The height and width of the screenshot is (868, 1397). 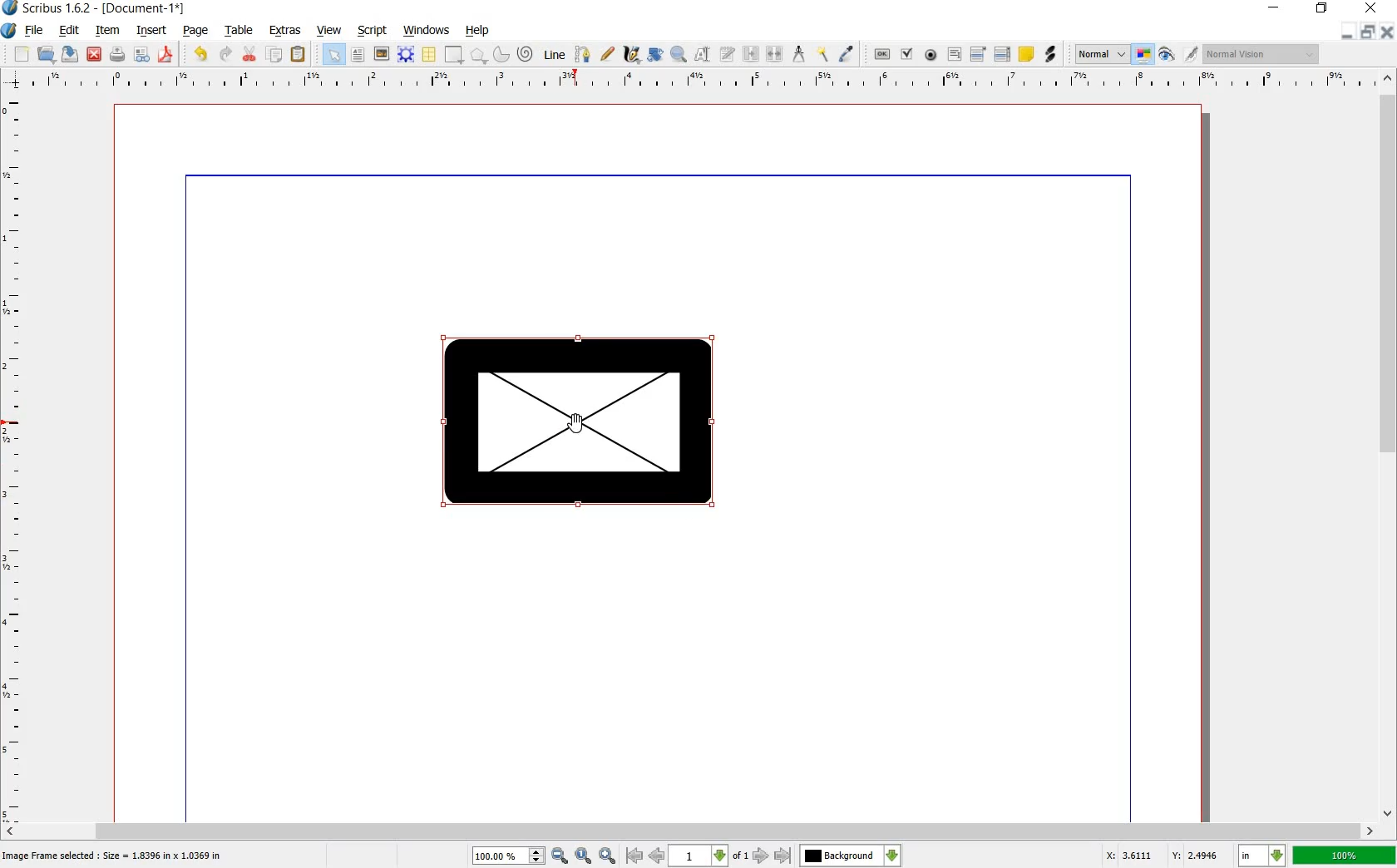 What do you see at coordinates (299, 55) in the screenshot?
I see `paste` at bounding box center [299, 55].